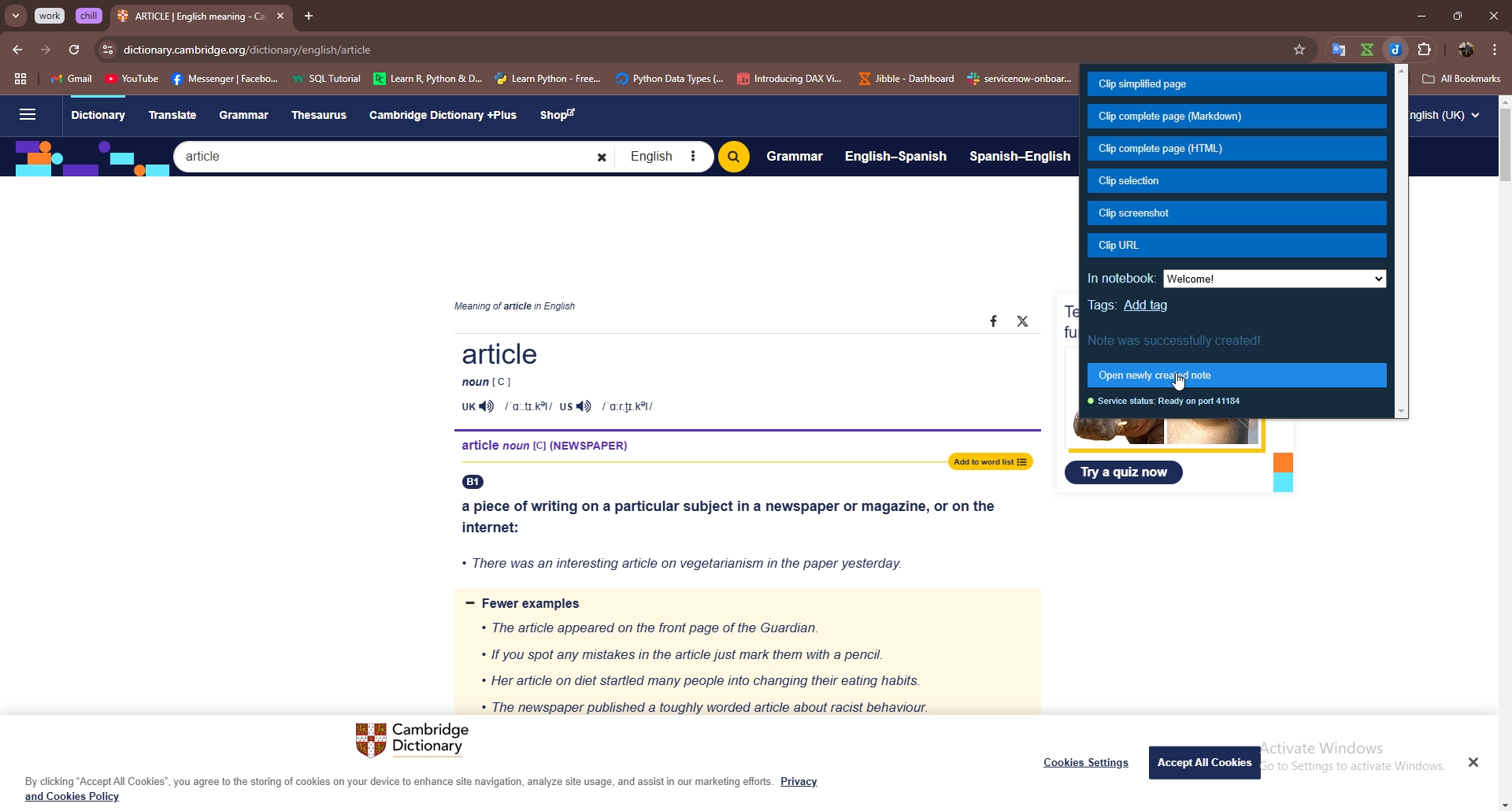 This screenshot has height=811, width=1512. Describe the element at coordinates (1506, 147) in the screenshot. I see `scroll bar` at that location.